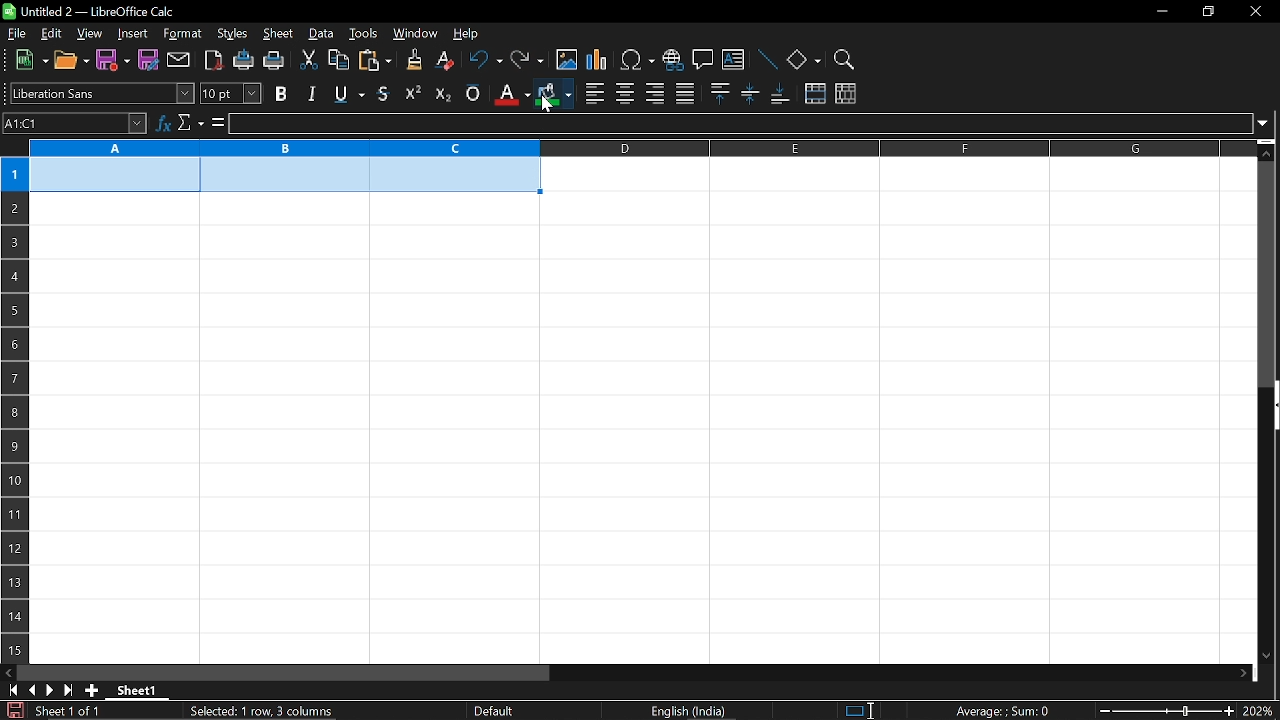 The height and width of the screenshot is (720, 1280). I want to click on formula, so click(216, 123).